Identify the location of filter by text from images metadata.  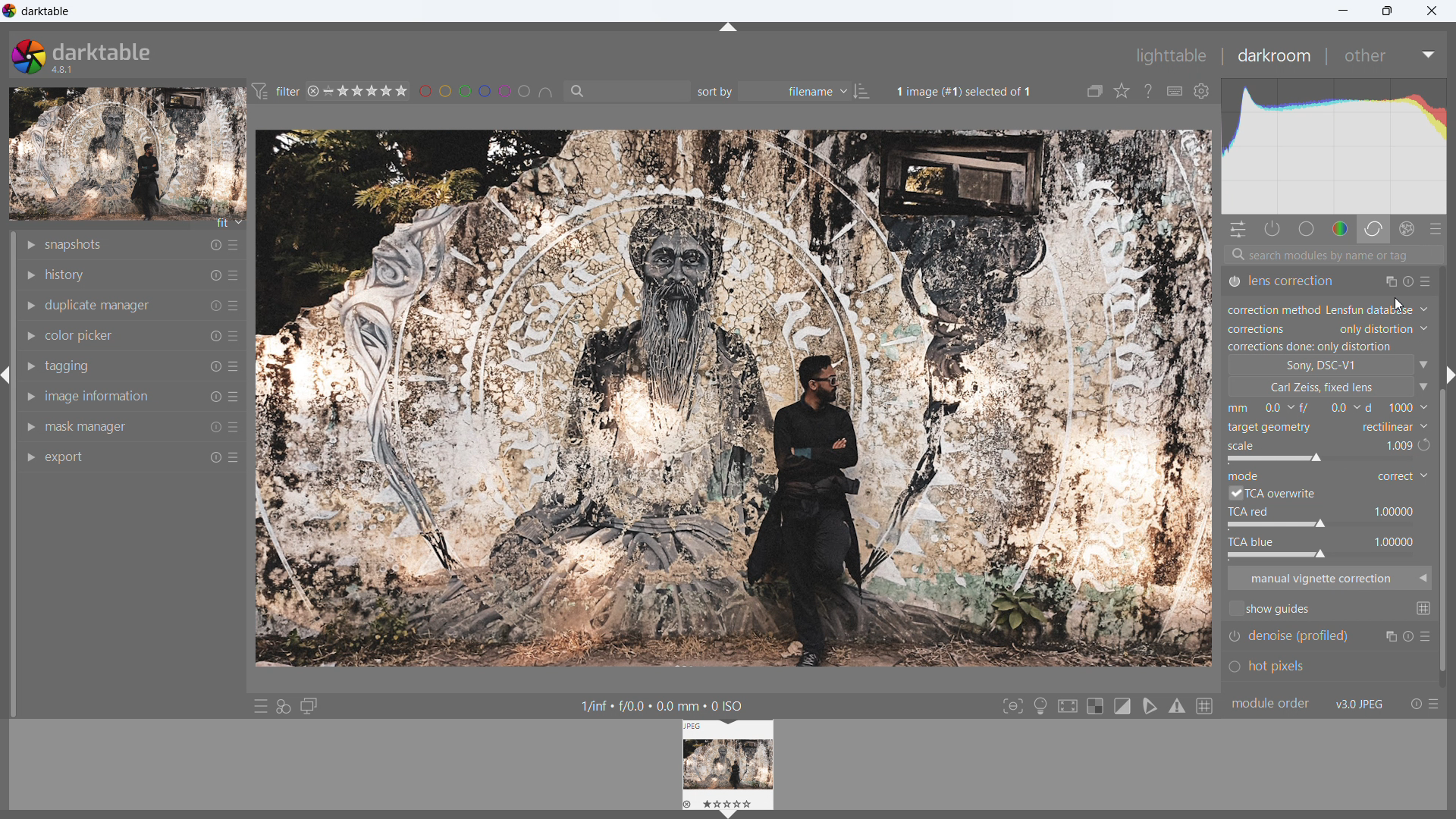
(626, 91).